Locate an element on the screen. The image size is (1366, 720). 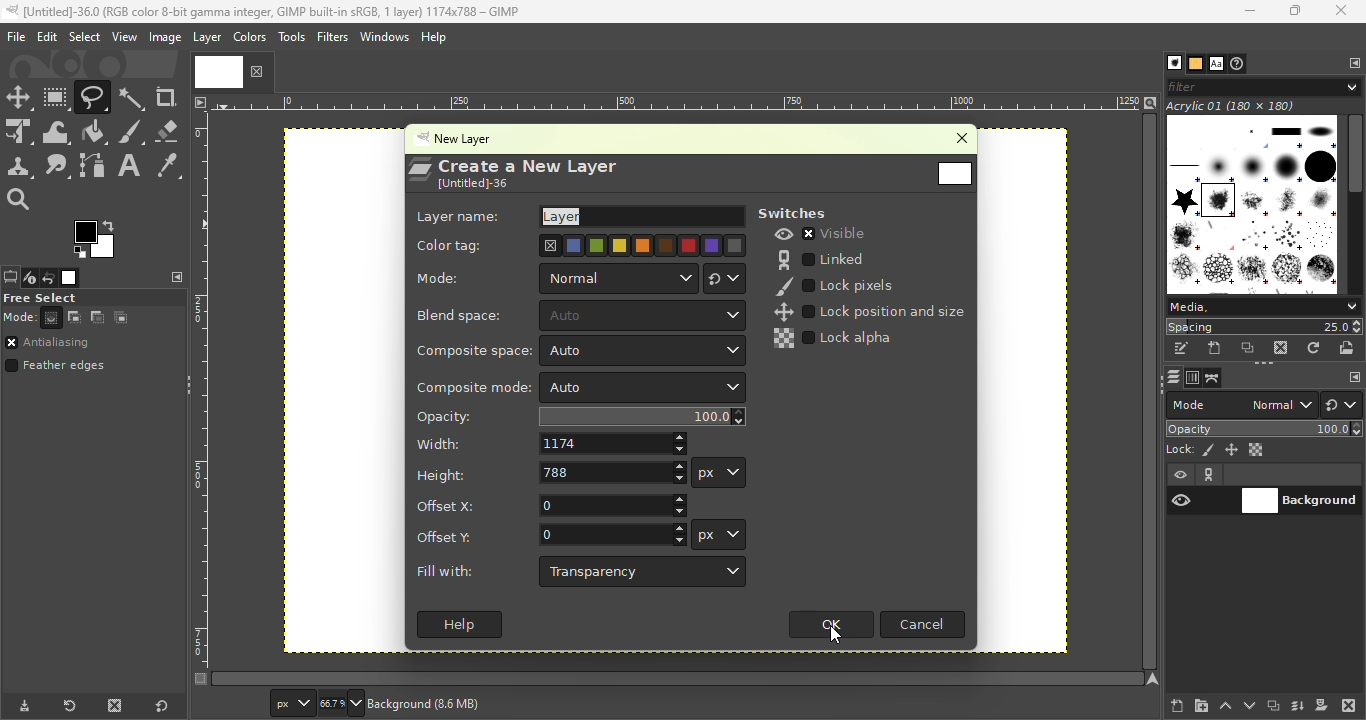
Blend space is located at coordinates (578, 316).